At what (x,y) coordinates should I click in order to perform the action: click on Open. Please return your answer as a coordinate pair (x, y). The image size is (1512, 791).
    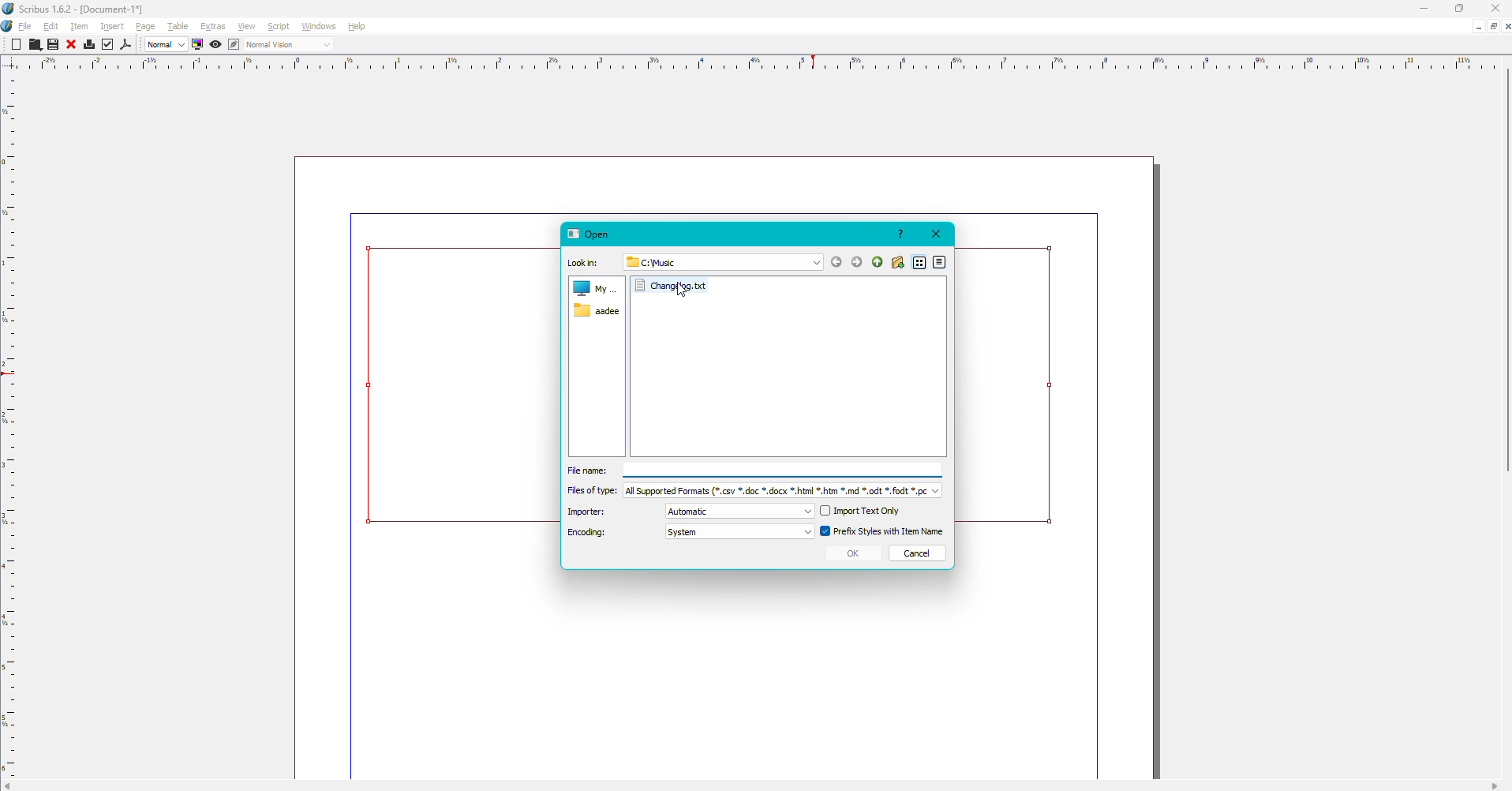
    Looking at the image, I should click on (590, 234).